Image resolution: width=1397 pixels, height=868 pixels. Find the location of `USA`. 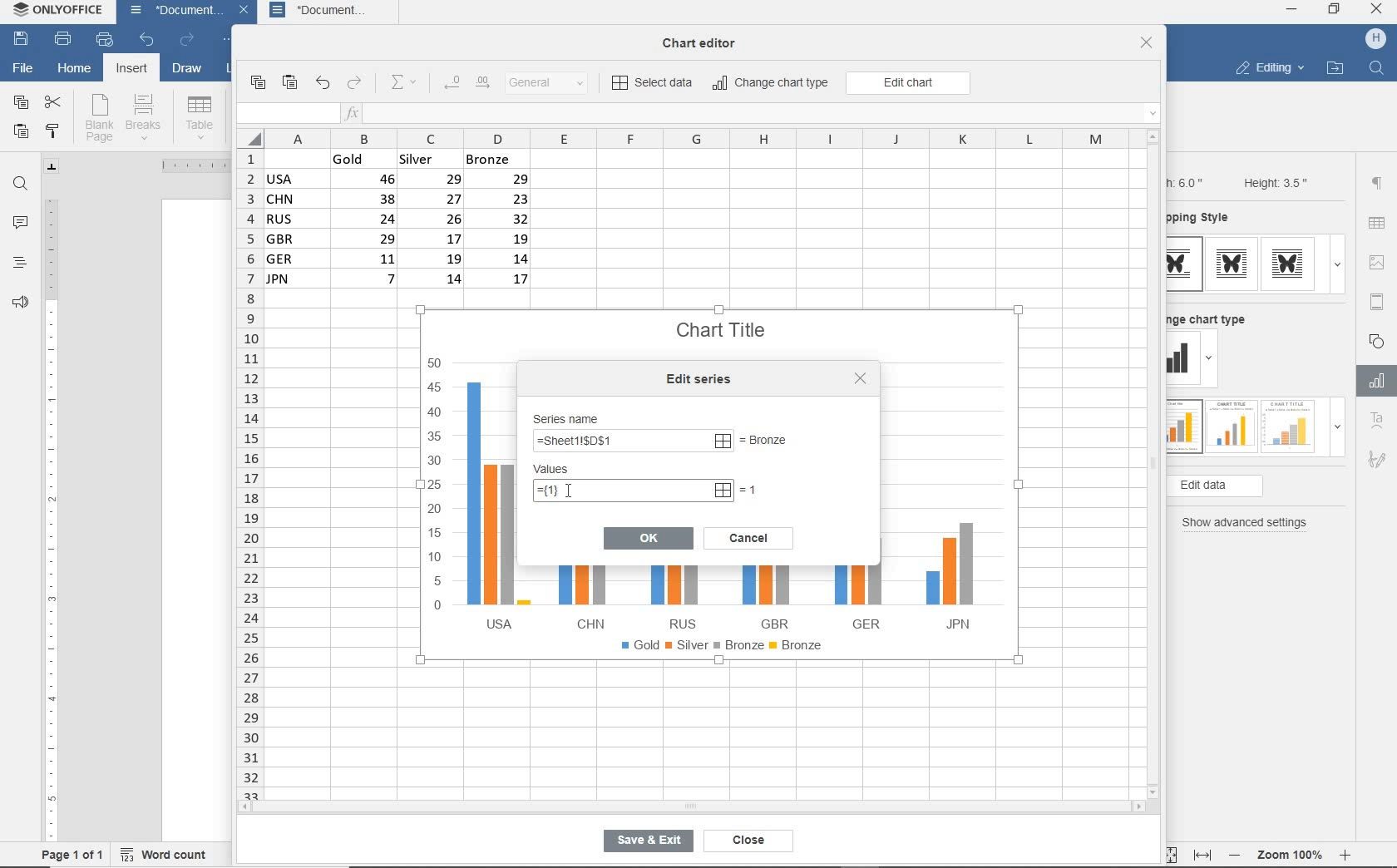

USA is located at coordinates (494, 505).